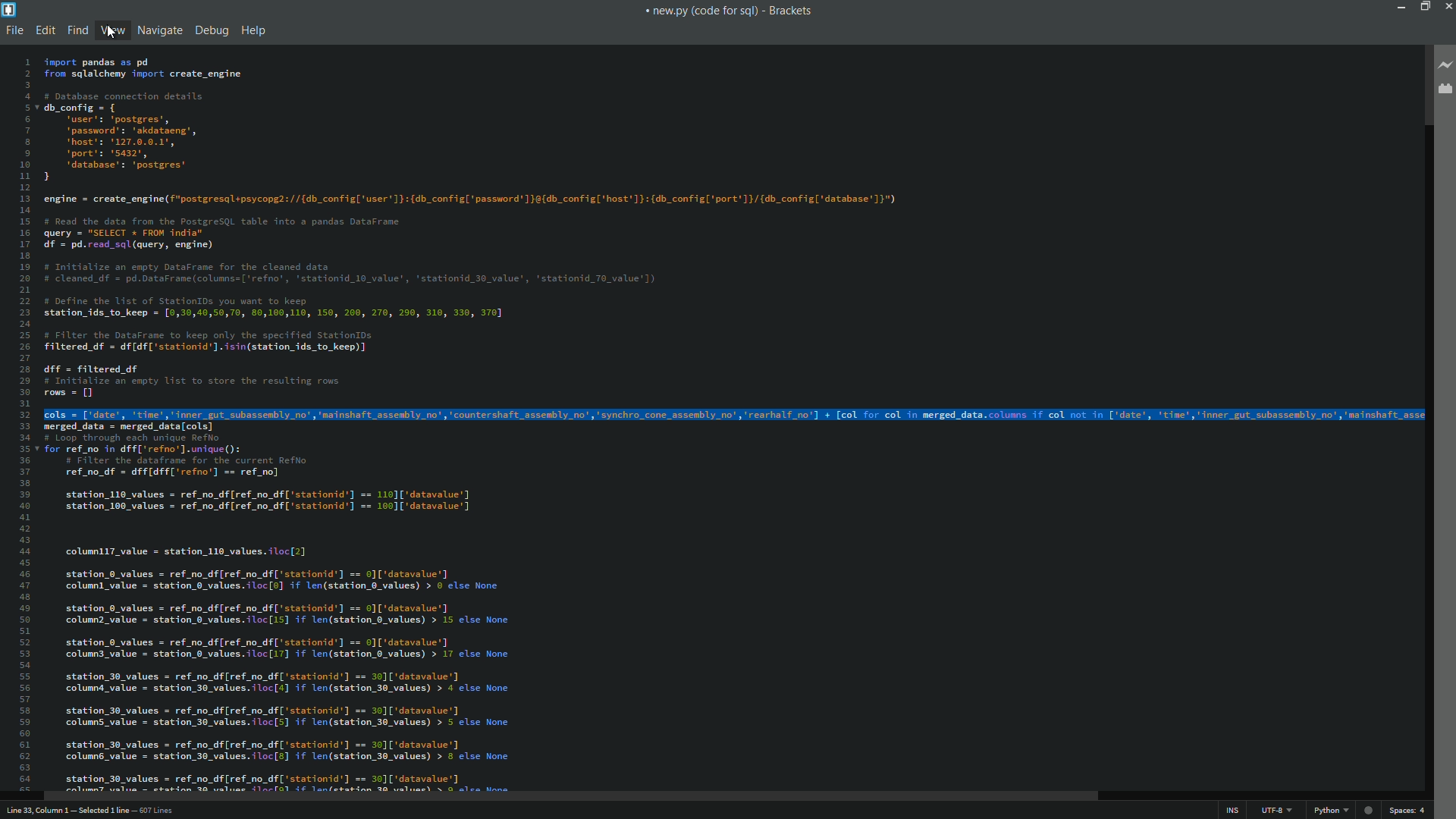 The width and height of the screenshot is (1456, 819). Describe the element at coordinates (47, 30) in the screenshot. I see `edit menu` at that location.